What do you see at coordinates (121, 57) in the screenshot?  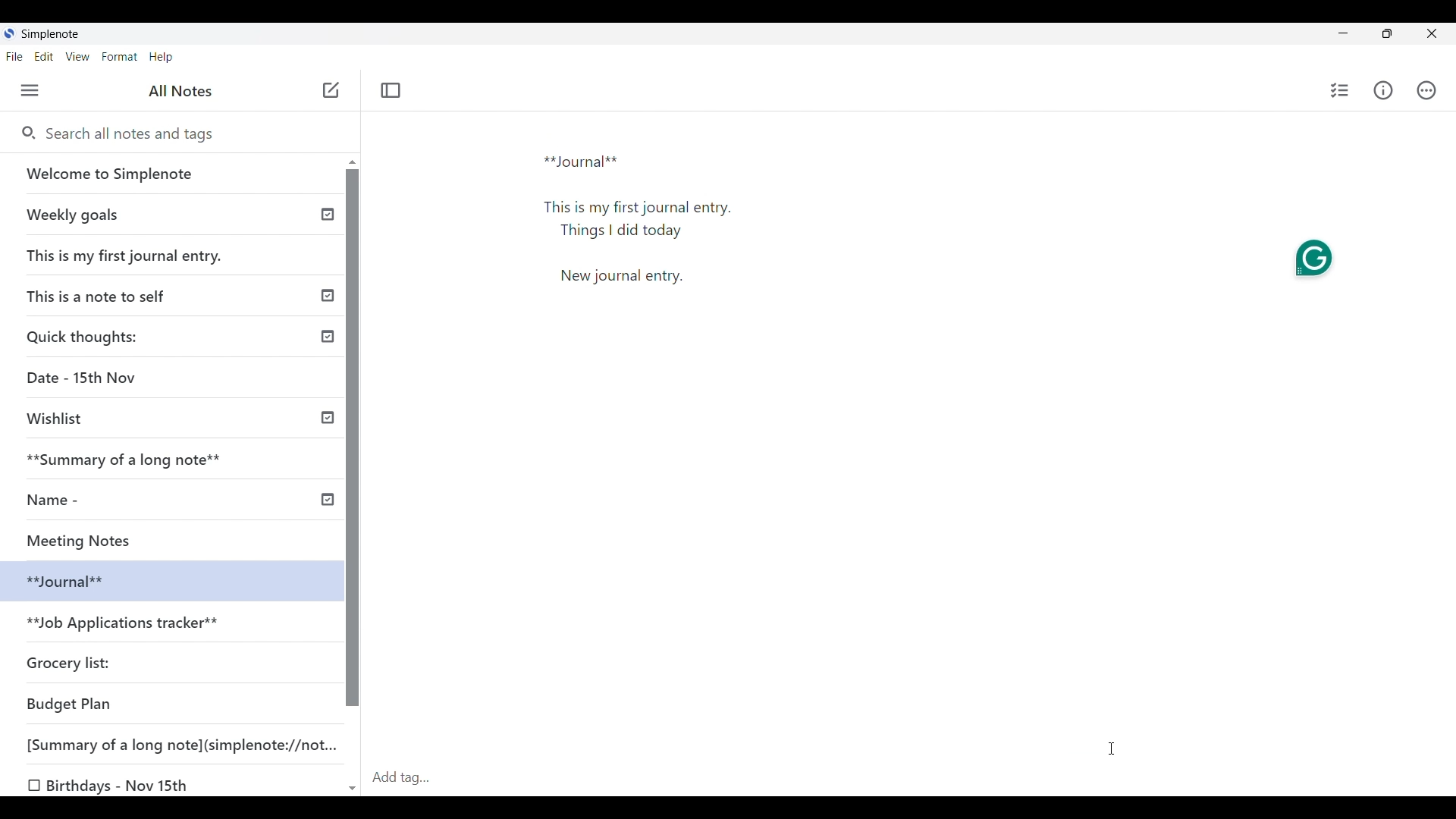 I see `Format menu` at bounding box center [121, 57].